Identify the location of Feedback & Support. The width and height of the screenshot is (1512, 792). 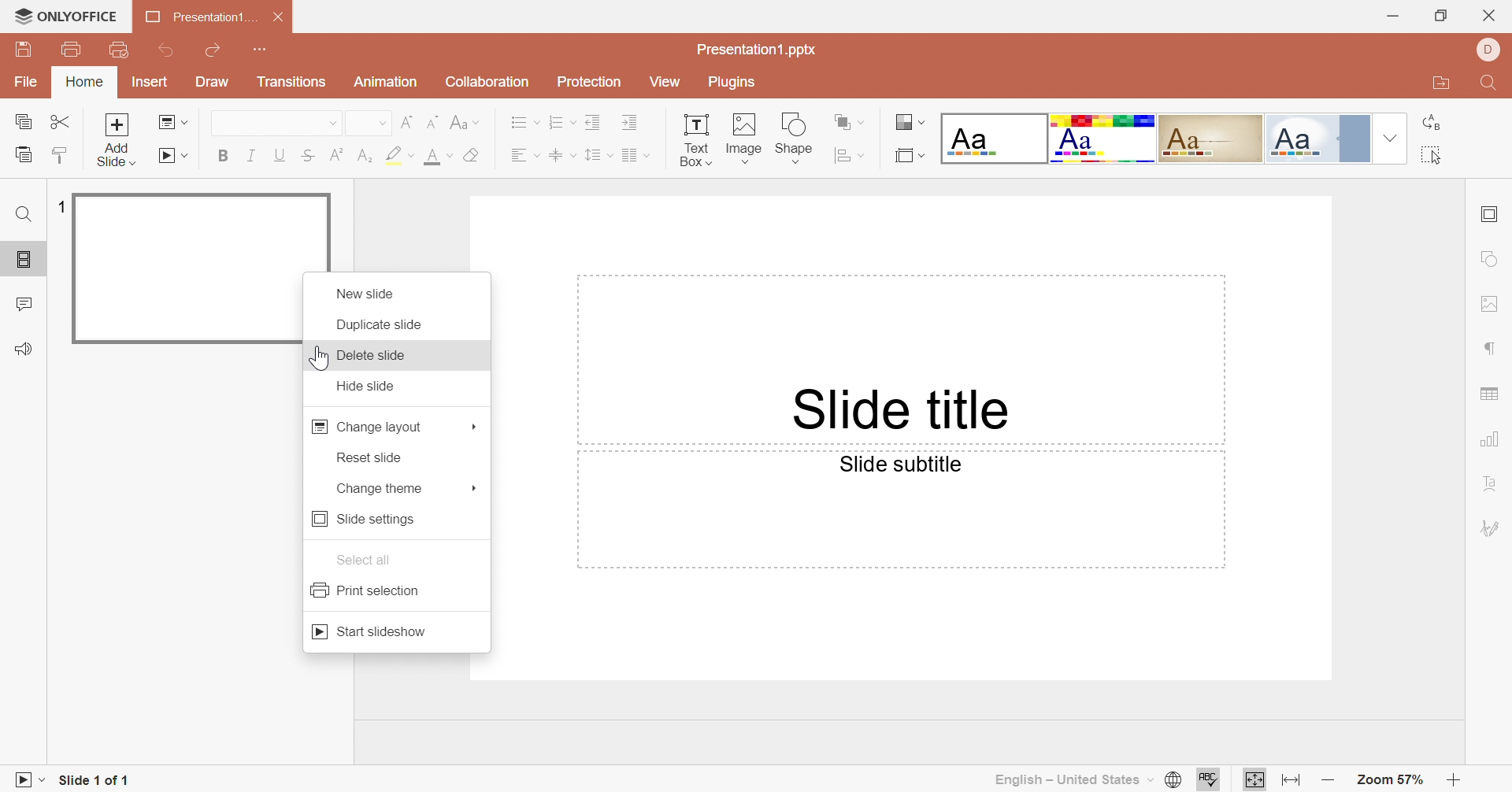
(27, 346).